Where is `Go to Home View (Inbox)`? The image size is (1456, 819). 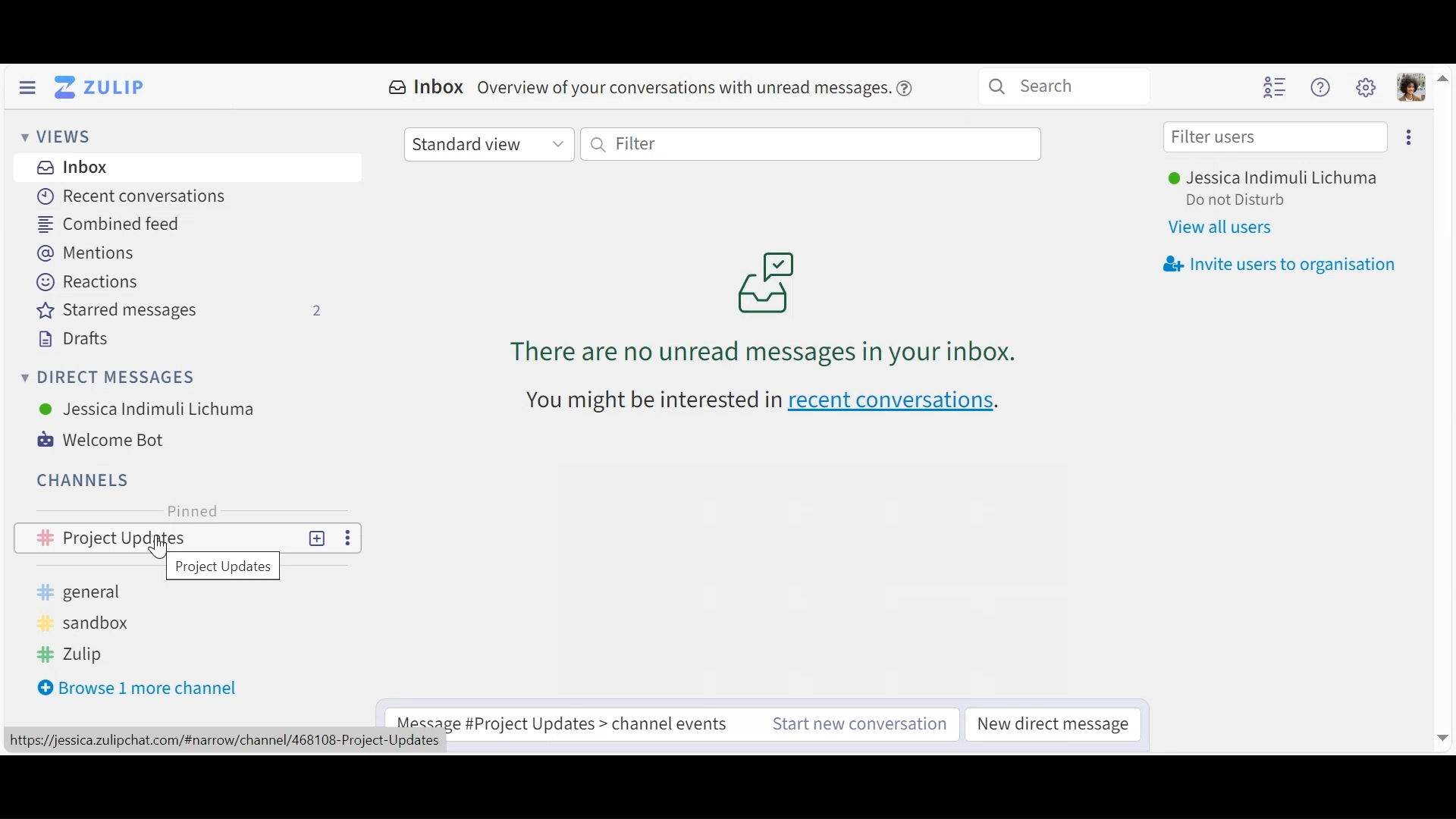
Go to Home View (Inbox) is located at coordinates (103, 86).